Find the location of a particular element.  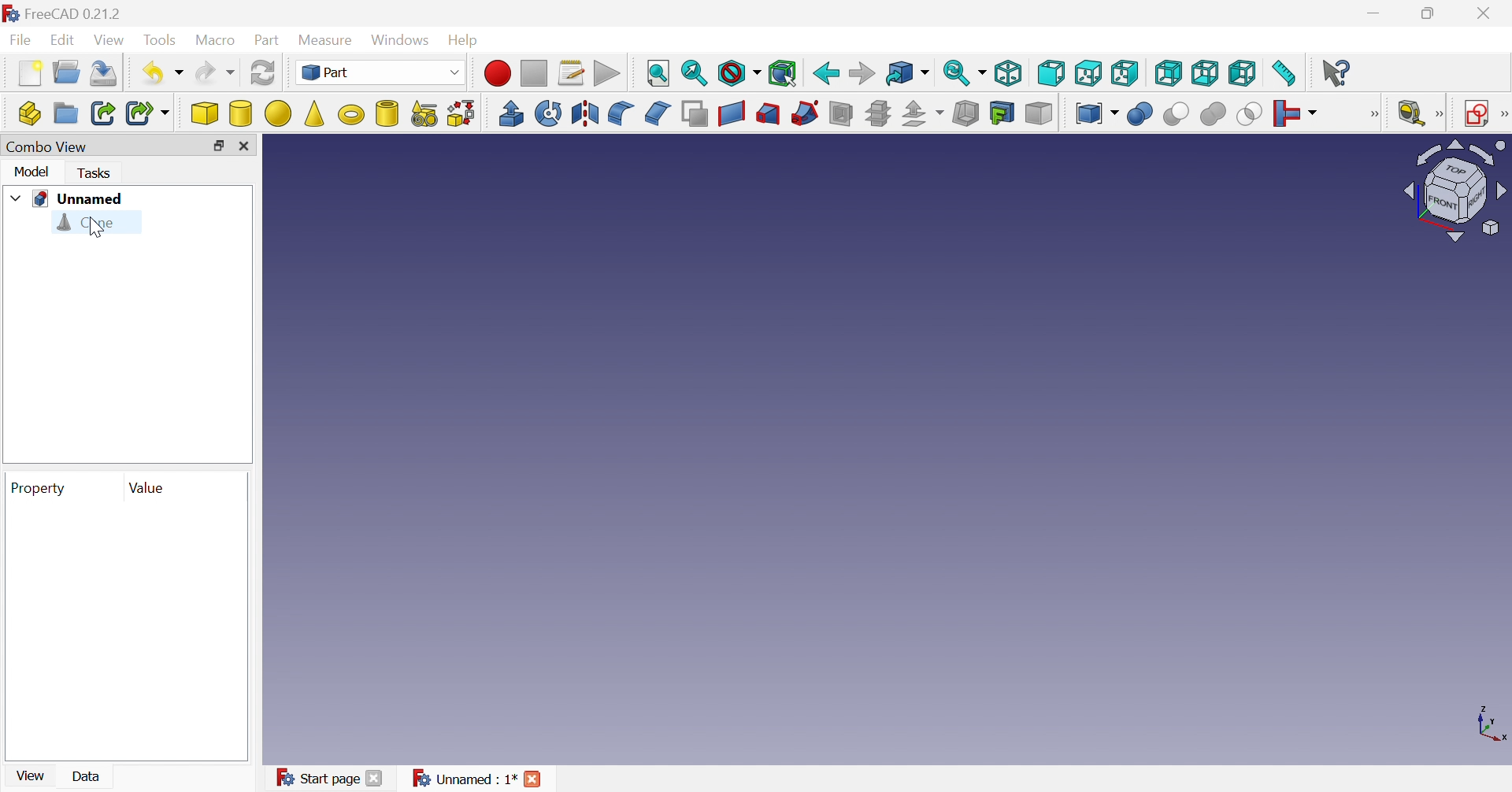

Create ruled surface is located at coordinates (732, 113).